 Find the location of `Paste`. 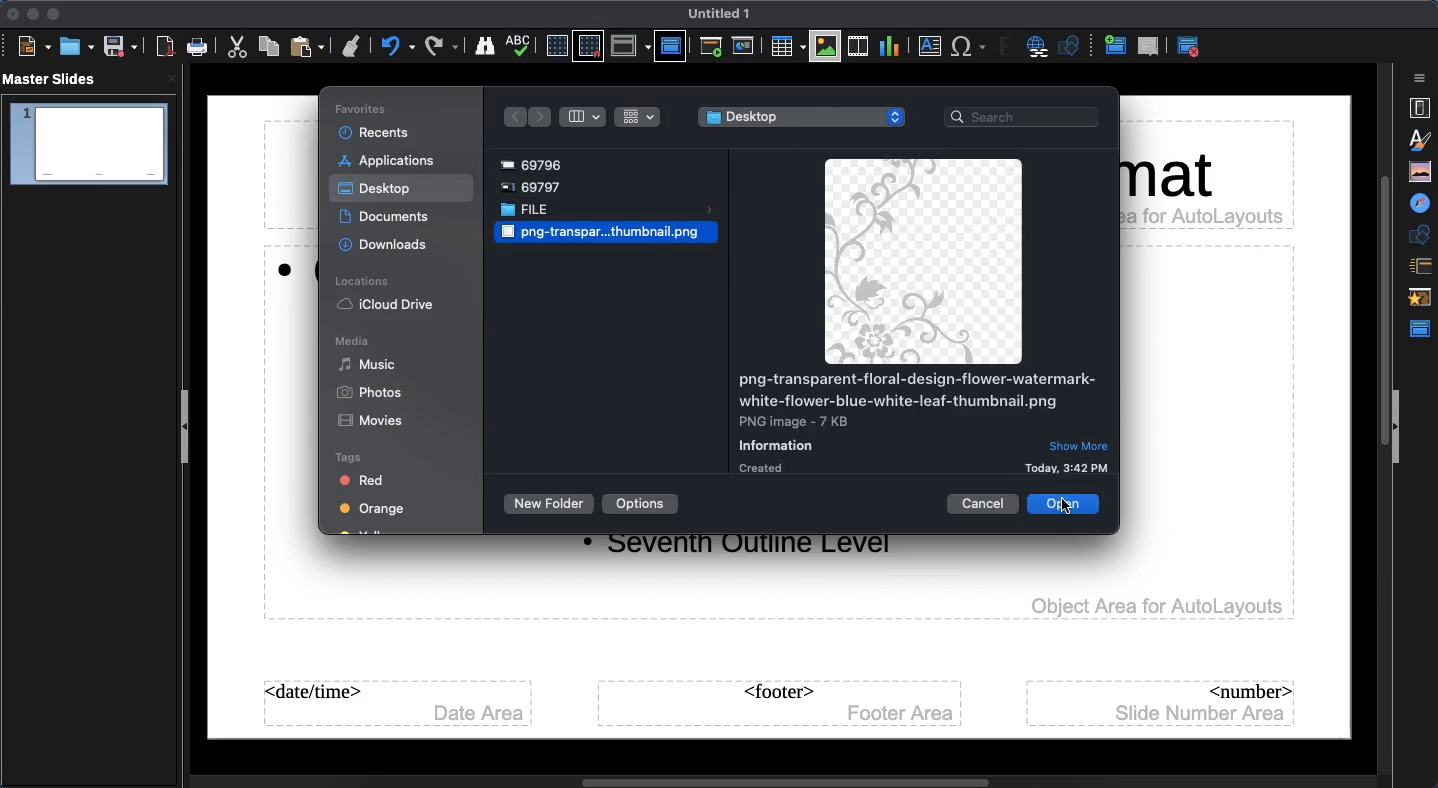

Paste is located at coordinates (309, 46).